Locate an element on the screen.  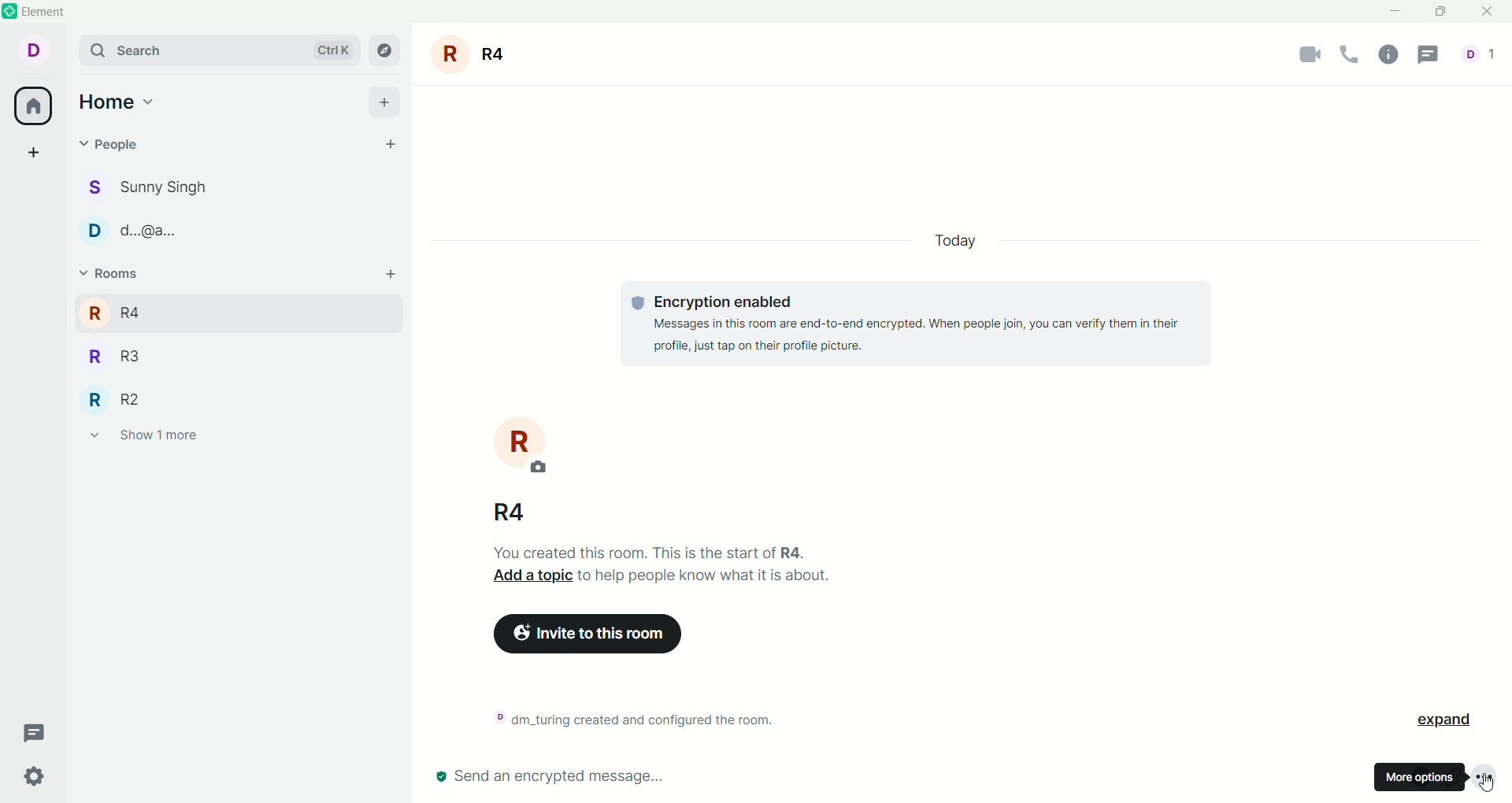
text is located at coordinates (673, 570).